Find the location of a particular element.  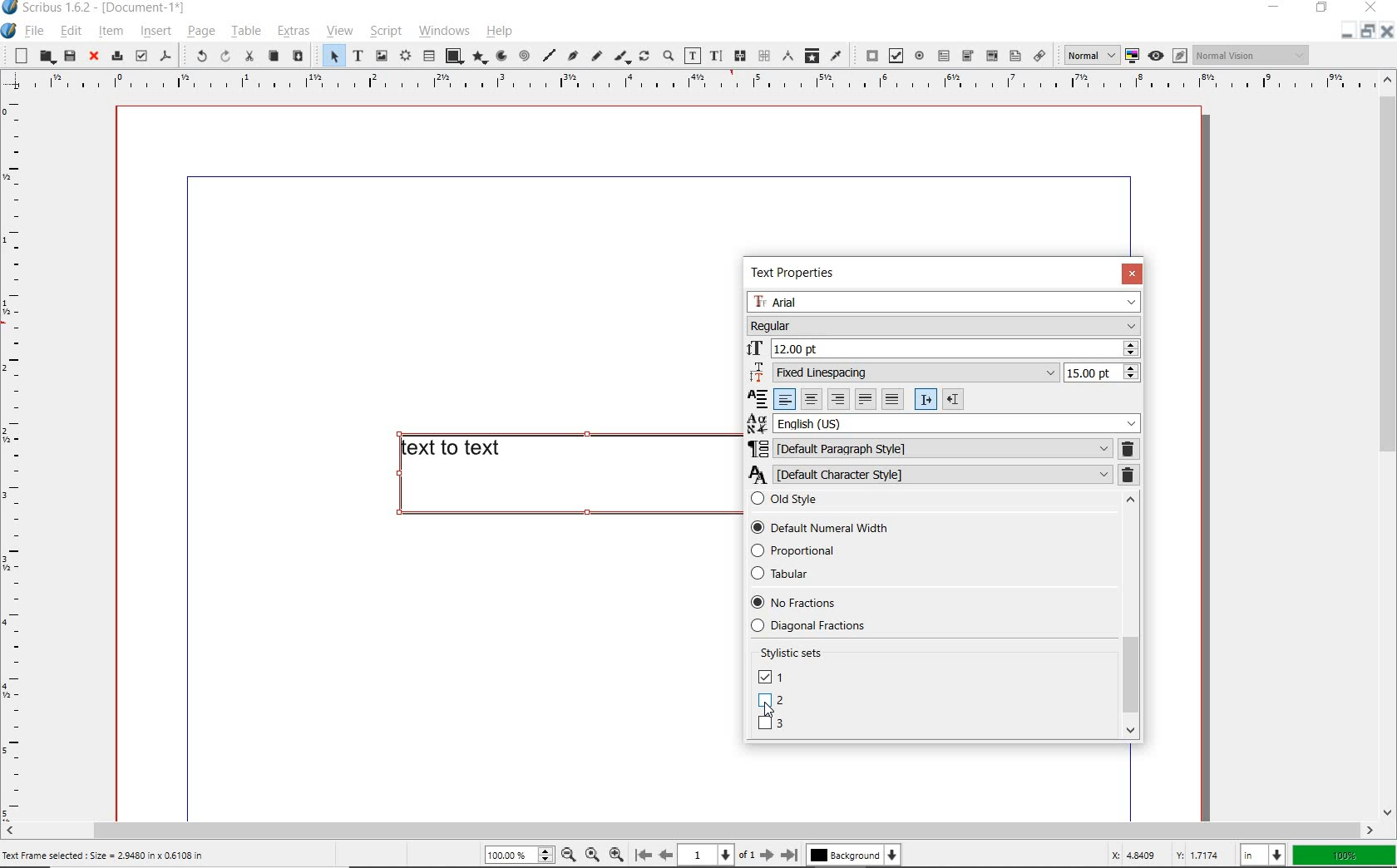

Y: 1.7174 is located at coordinates (1200, 855).